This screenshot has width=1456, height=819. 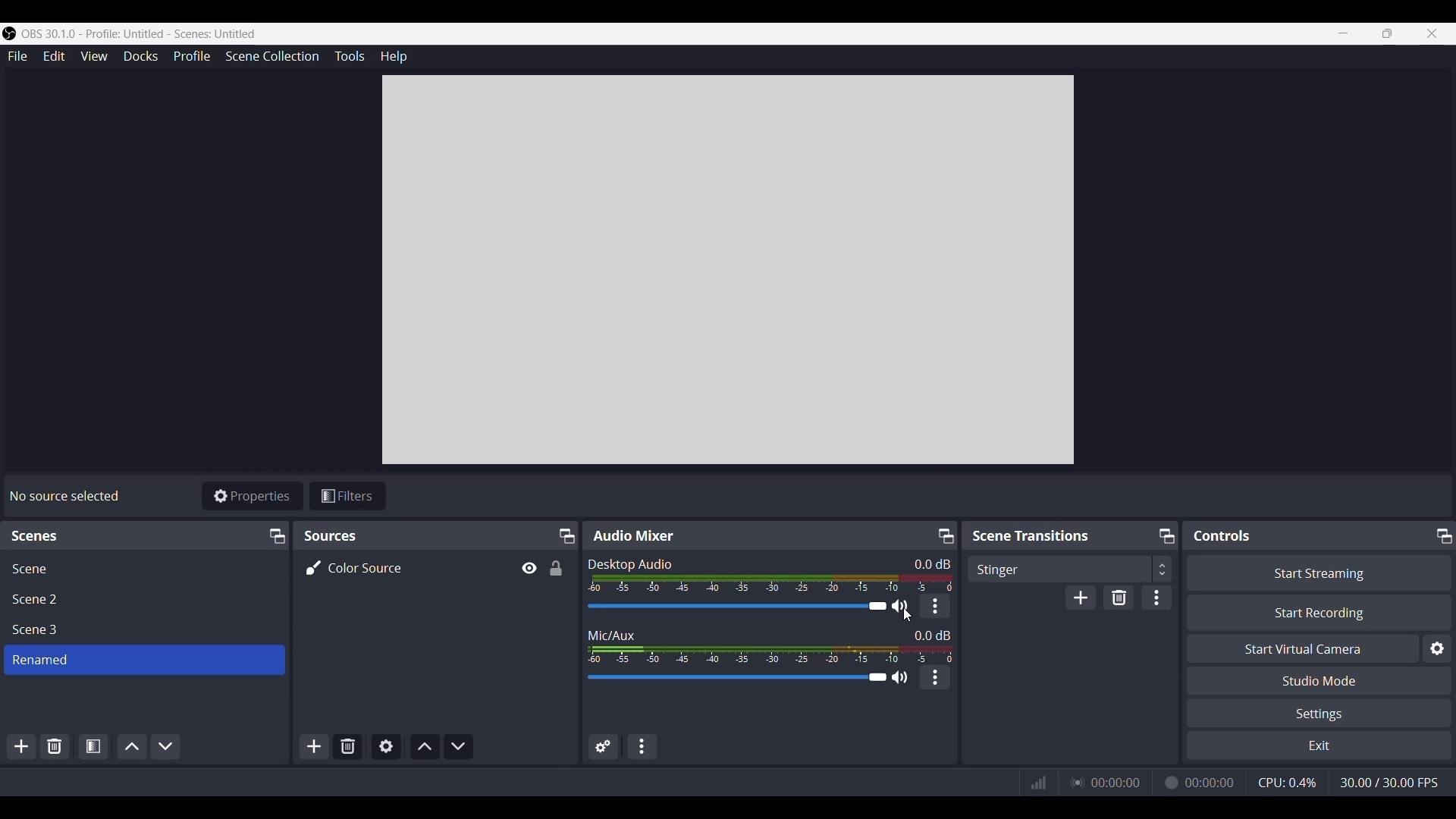 What do you see at coordinates (934, 677) in the screenshot?
I see `Mic/Aux properties` at bounding box center [934, 677].